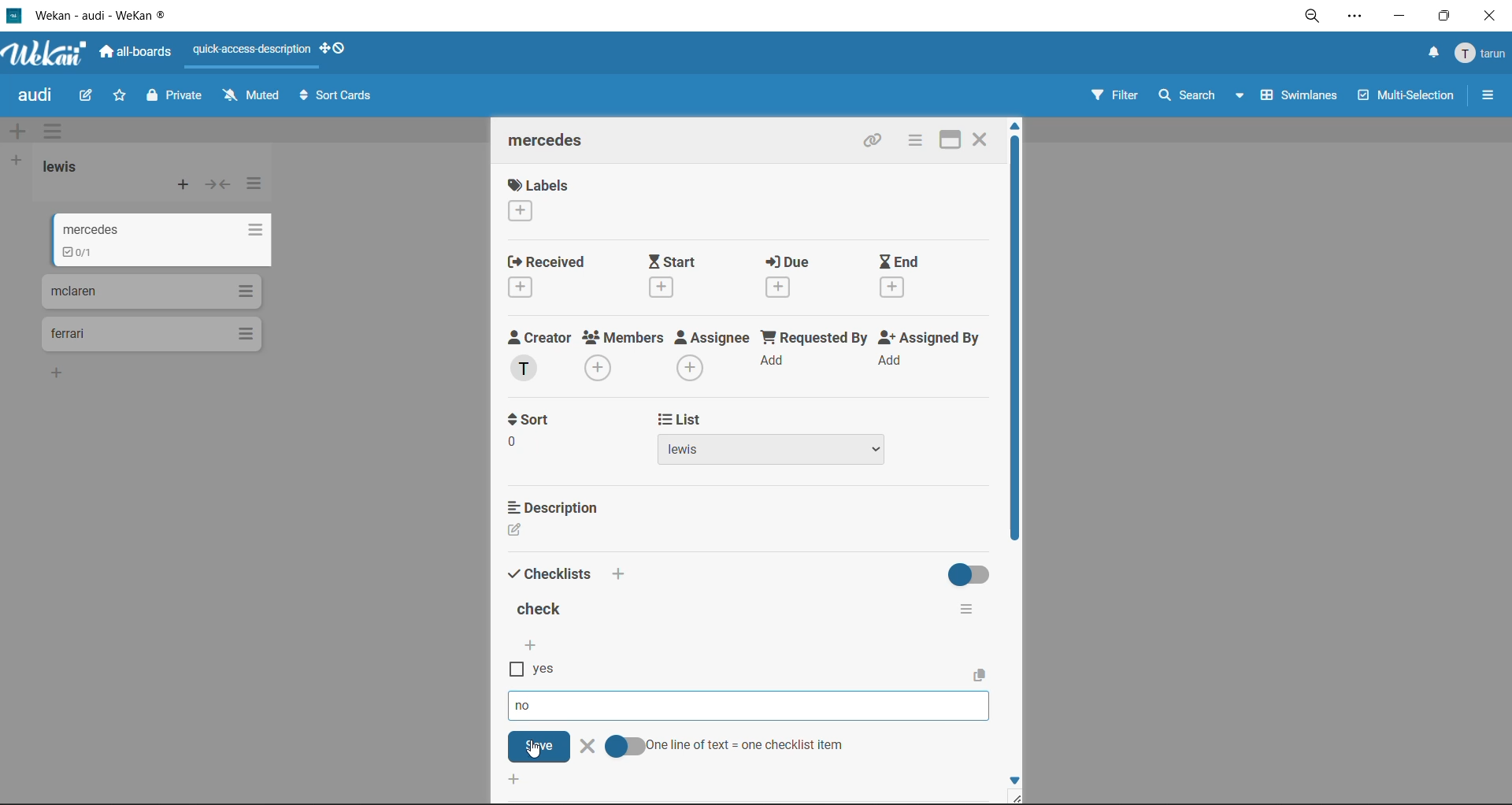 The width and height of the screenshot is (1512, 805). What do you see at coordinates (532, 450) in the screenshot?
I see `sort` at bounding box center [532, 450].